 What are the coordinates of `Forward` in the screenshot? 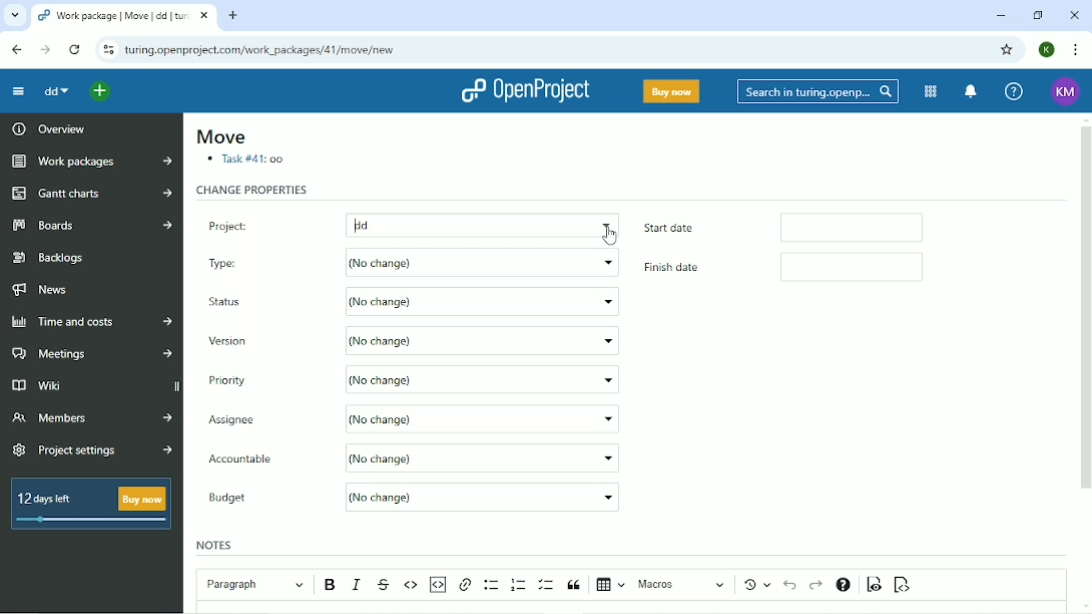 It's located at (45, 50).